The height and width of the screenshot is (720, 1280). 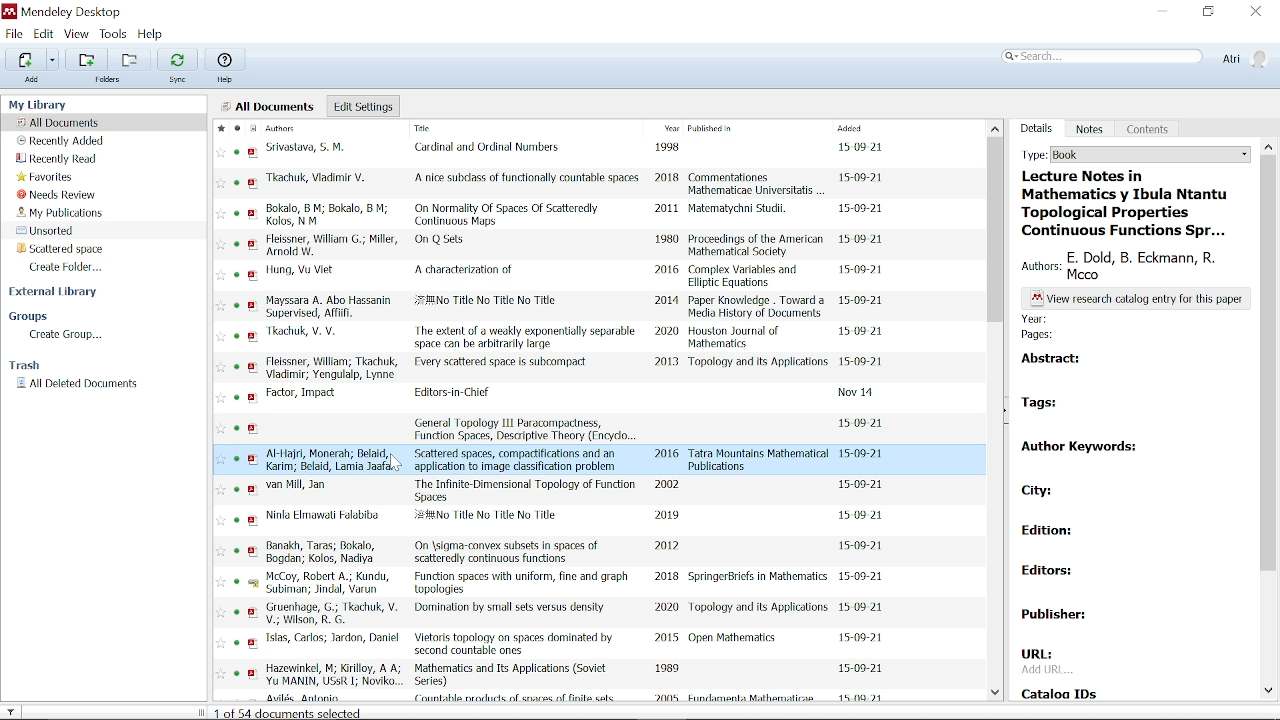 I want to click on Tools, so click(x=114, y=34).